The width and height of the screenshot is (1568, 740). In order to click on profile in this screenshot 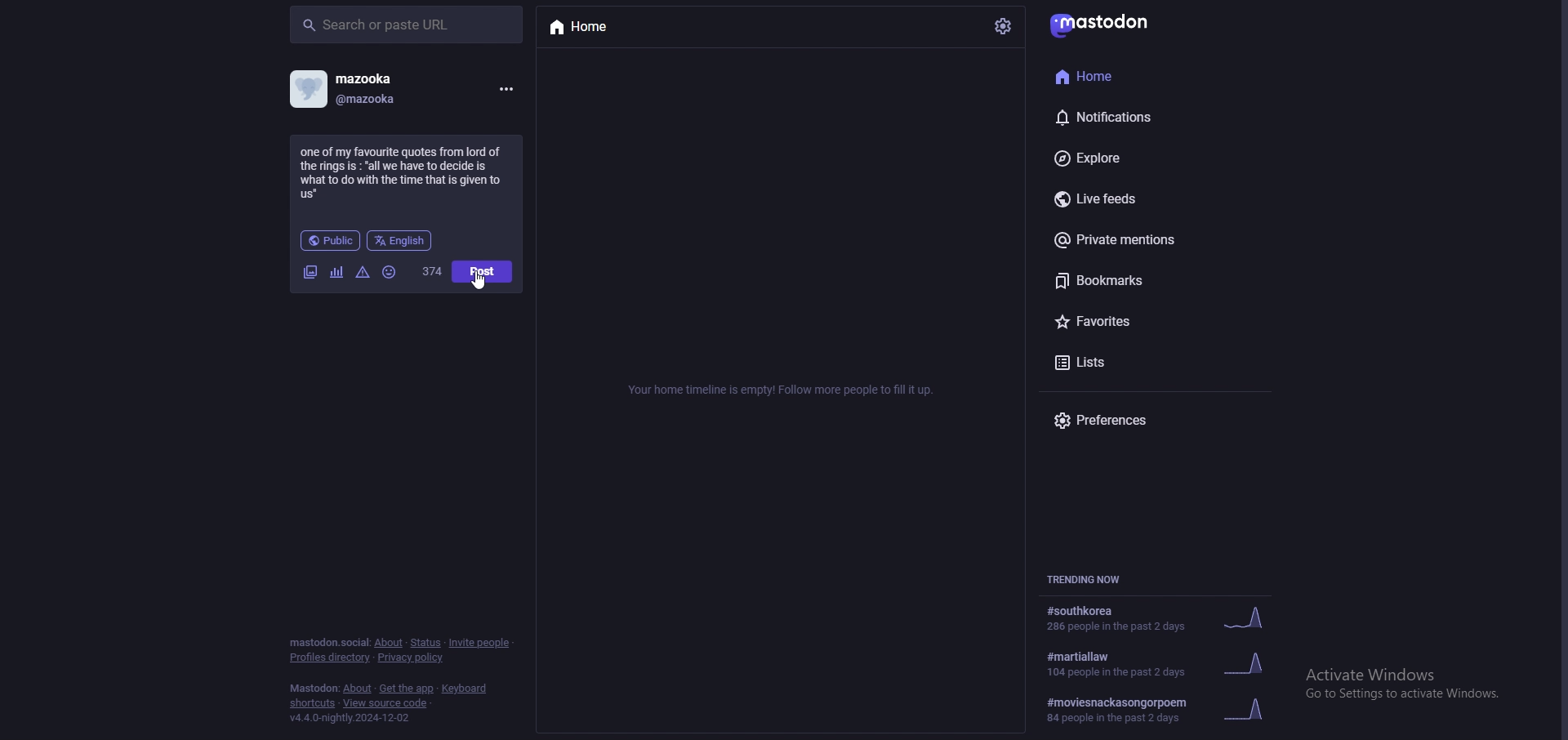, I will do `click(347, 89)`.